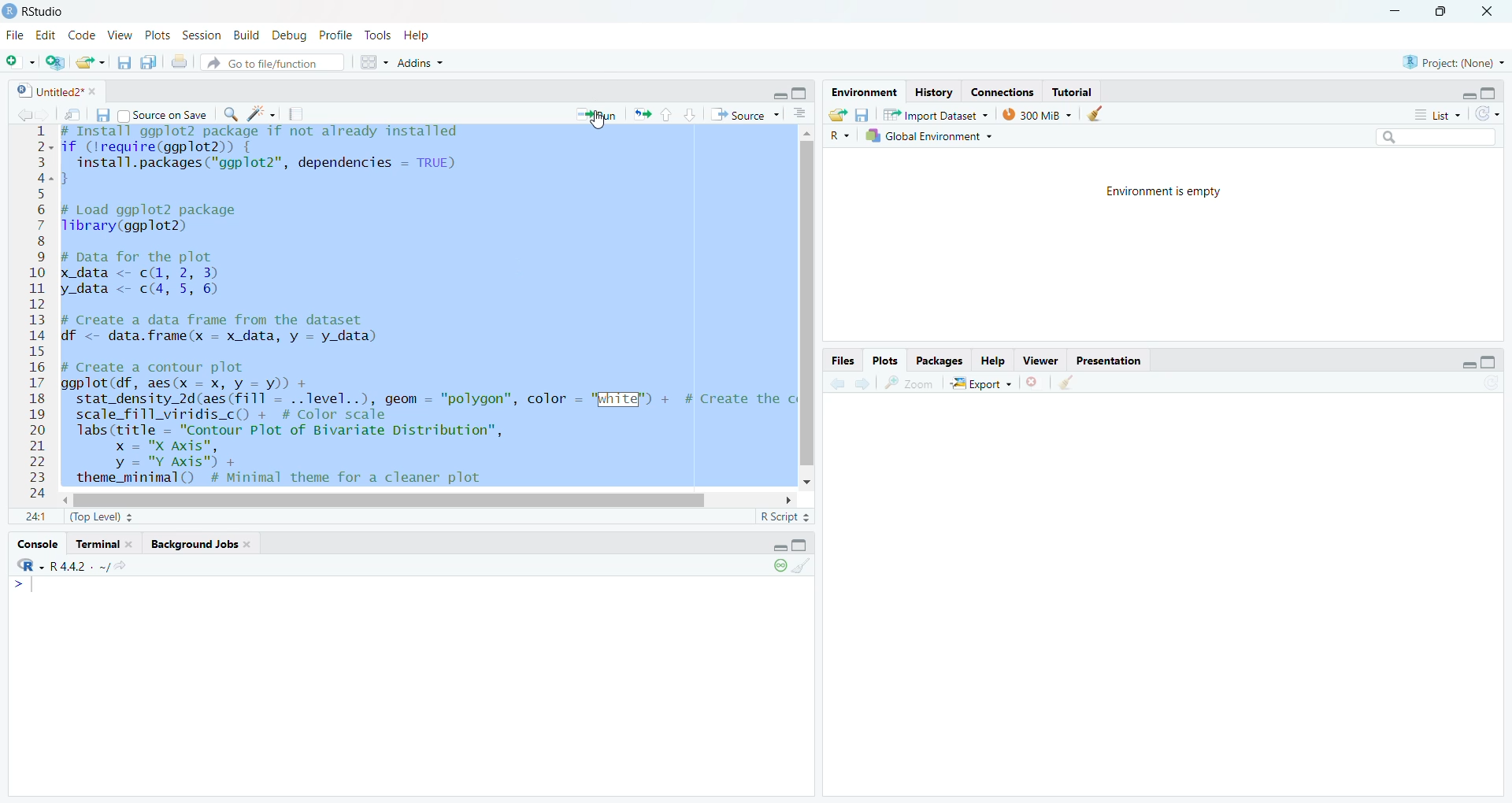 This screenshot has height=803, width=1512. Describe the element at coordinates (35, 12) in the screenshot. I see ` Rstudio` at that location.